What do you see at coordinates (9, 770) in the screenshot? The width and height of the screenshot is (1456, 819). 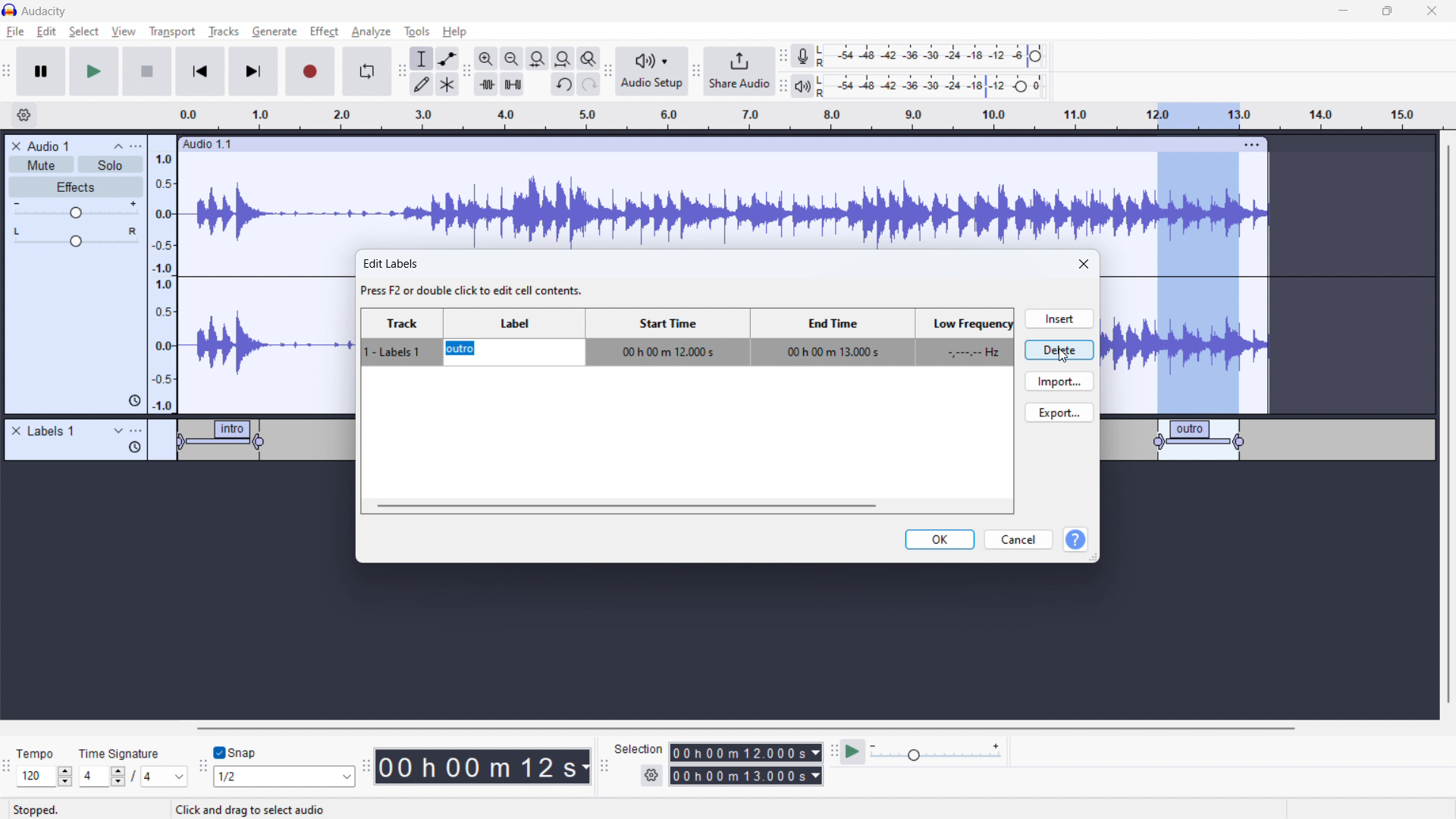 I see `time signature toolbar` at bounding box center [9, 770].